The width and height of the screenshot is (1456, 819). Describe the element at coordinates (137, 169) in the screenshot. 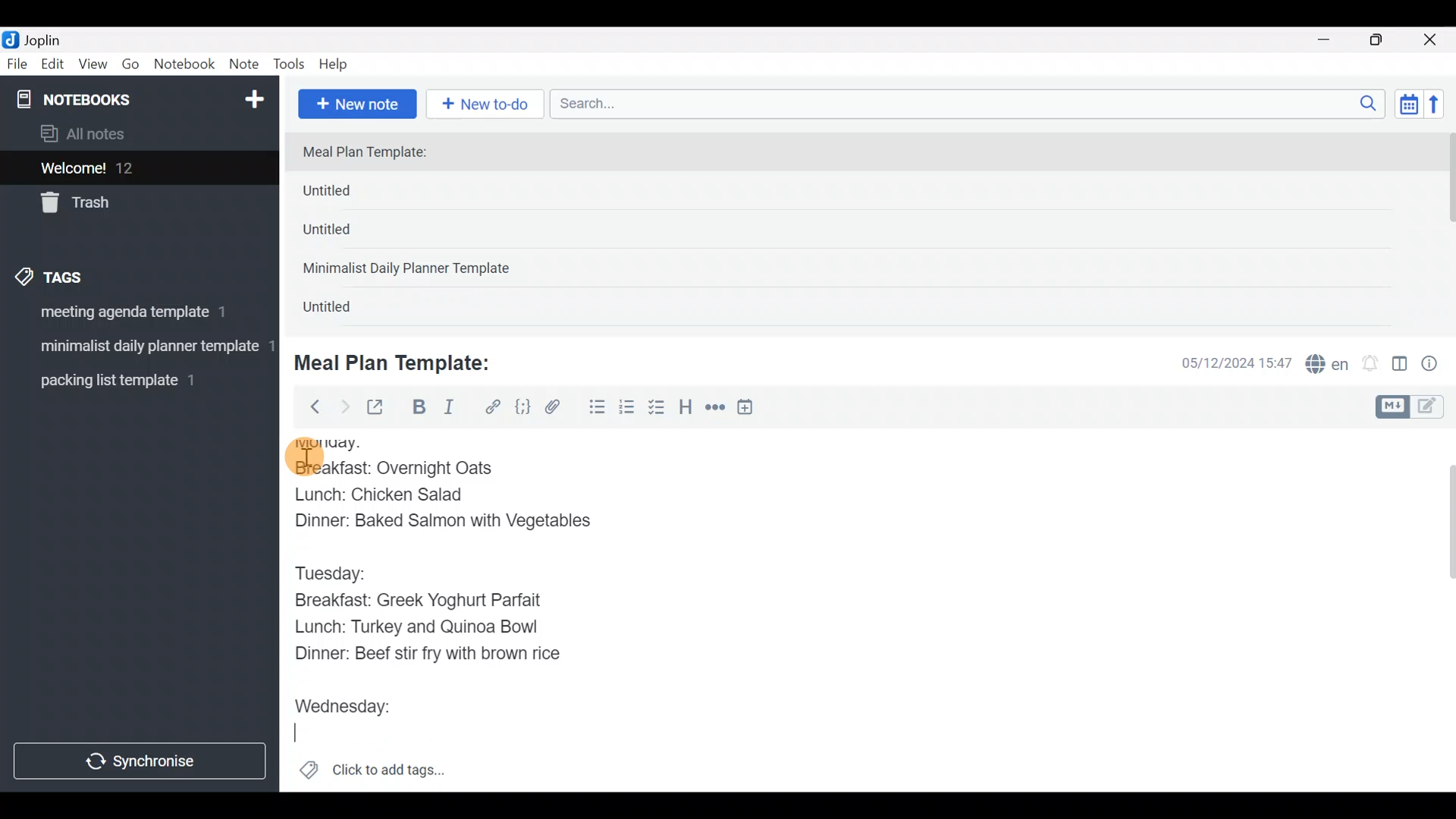

I see `Welcome!` at that location.